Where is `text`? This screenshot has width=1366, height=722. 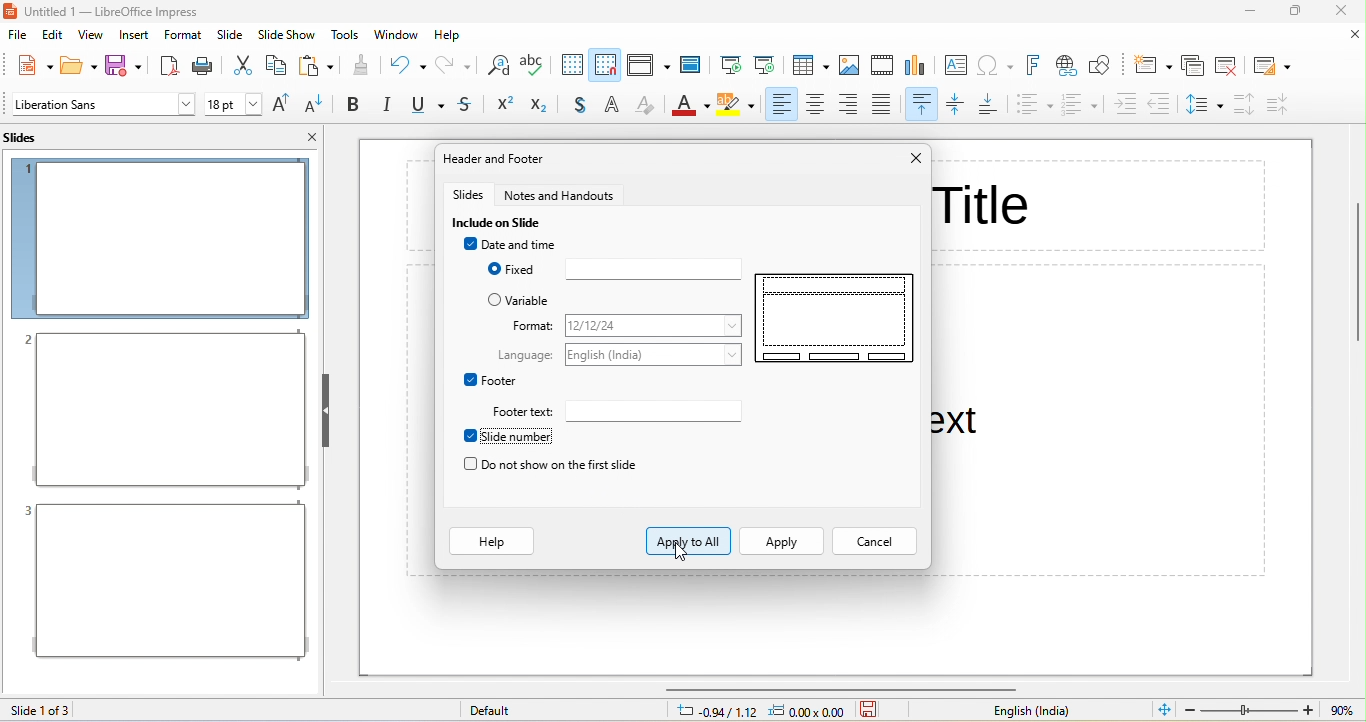 text is located at coordinates (525, 354).